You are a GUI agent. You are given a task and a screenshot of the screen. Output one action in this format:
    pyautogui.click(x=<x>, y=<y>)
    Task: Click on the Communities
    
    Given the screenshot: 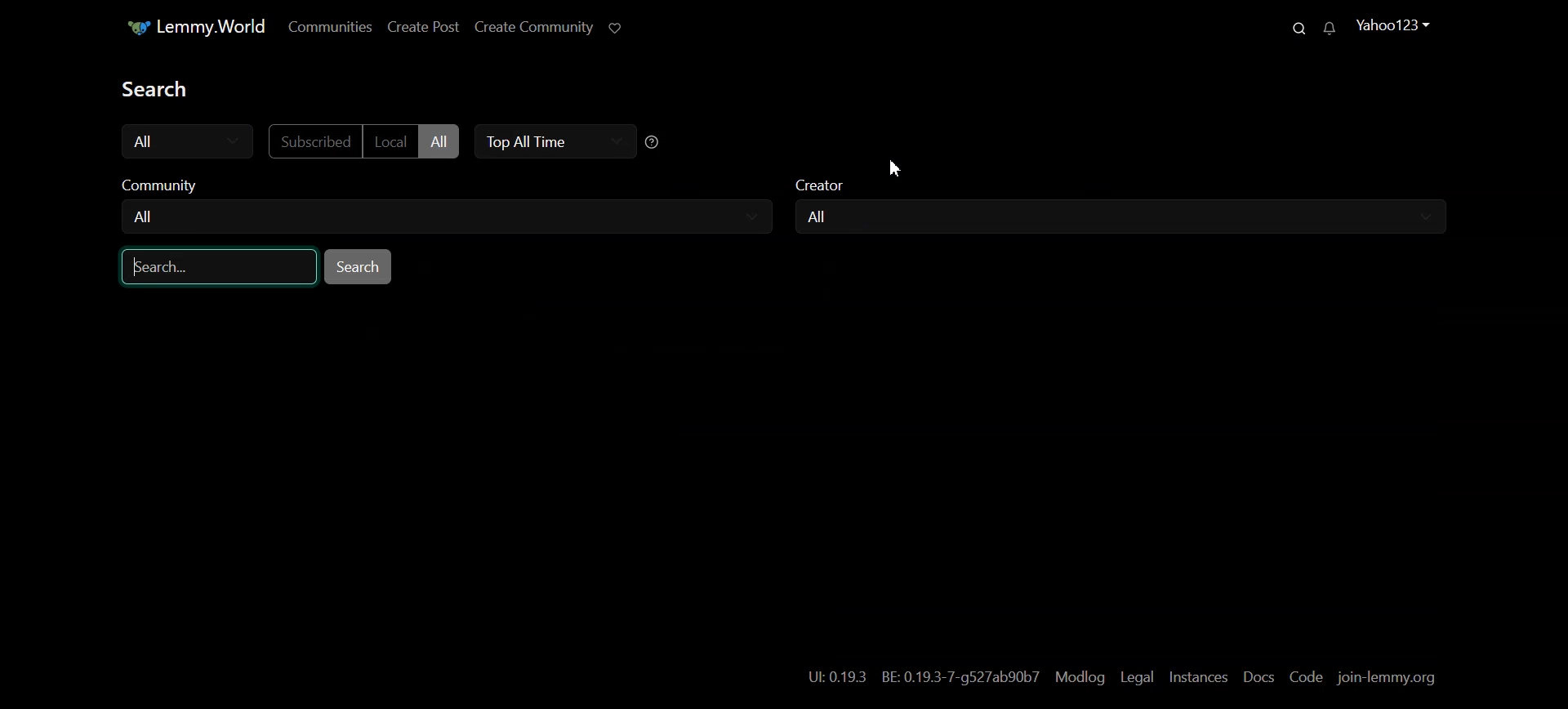 What is the action you would take?
    pyautogui.click(x=330, y=27)
    